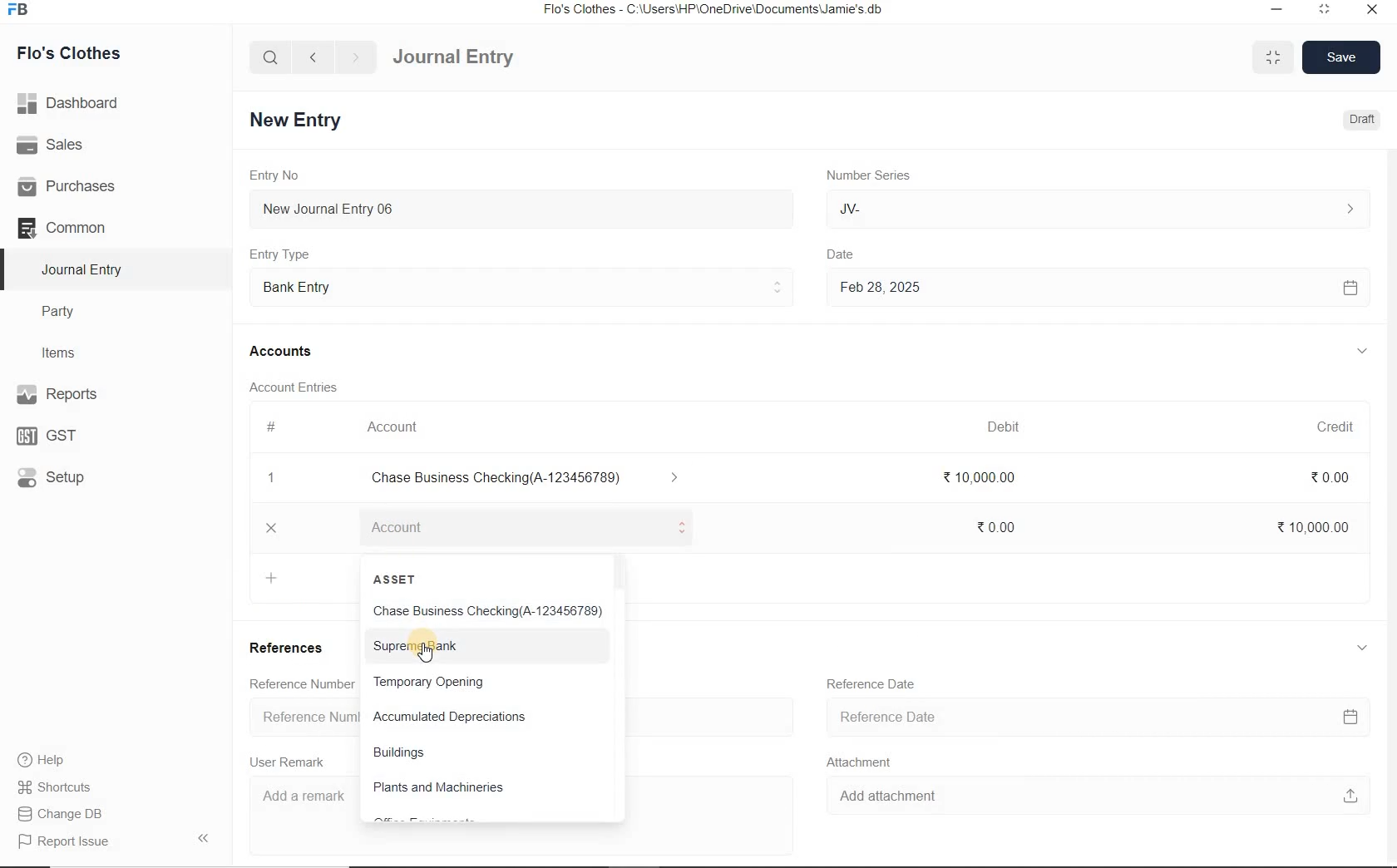 The image size is (1397, 868). I want to click on Add a remark, so click(303, 800).